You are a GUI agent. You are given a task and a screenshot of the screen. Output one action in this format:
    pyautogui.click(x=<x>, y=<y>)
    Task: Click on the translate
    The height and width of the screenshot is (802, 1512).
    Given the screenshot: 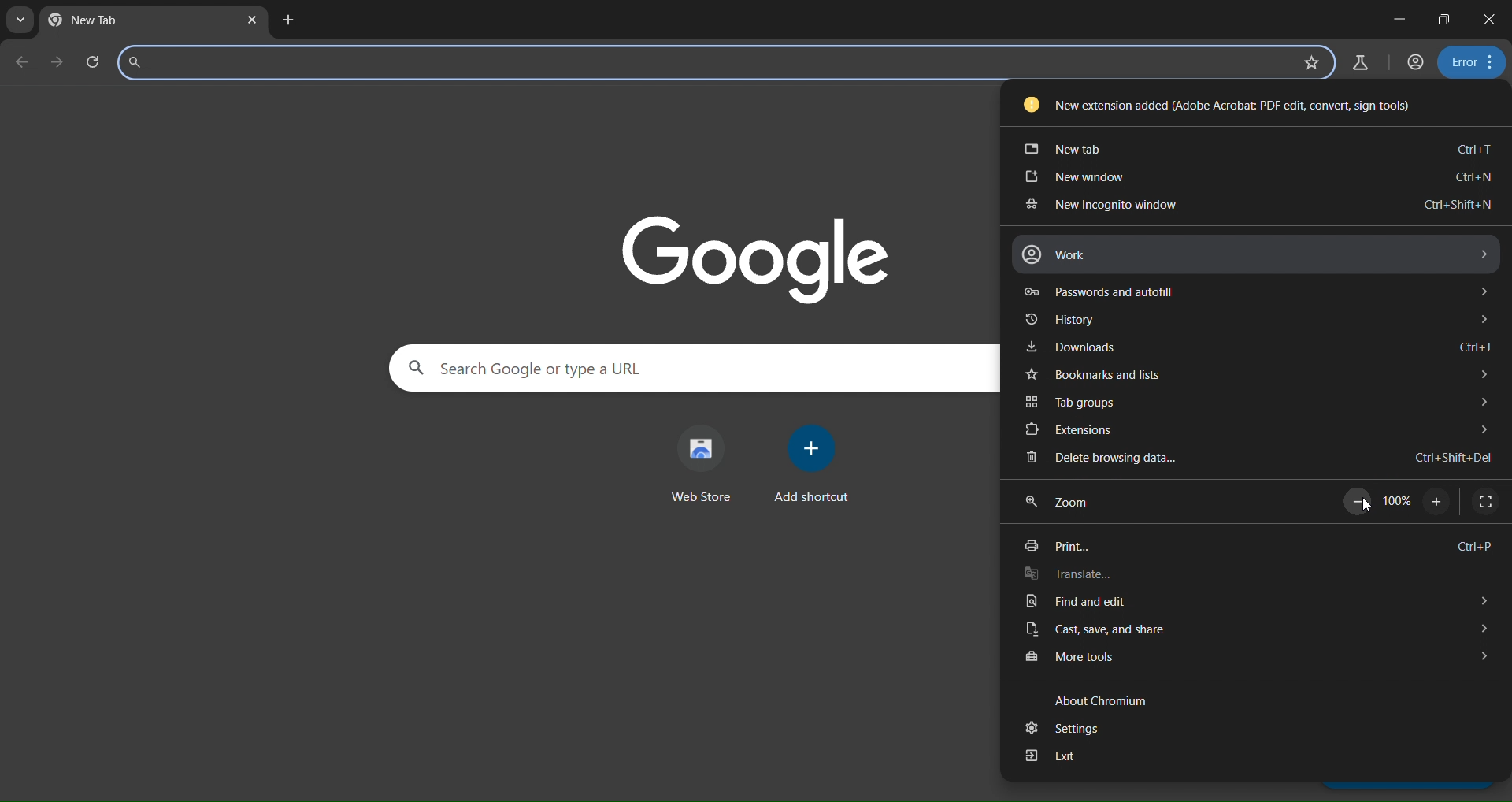 What is the action you would take?
    pyautogui.click(x=1256, y=572)
    